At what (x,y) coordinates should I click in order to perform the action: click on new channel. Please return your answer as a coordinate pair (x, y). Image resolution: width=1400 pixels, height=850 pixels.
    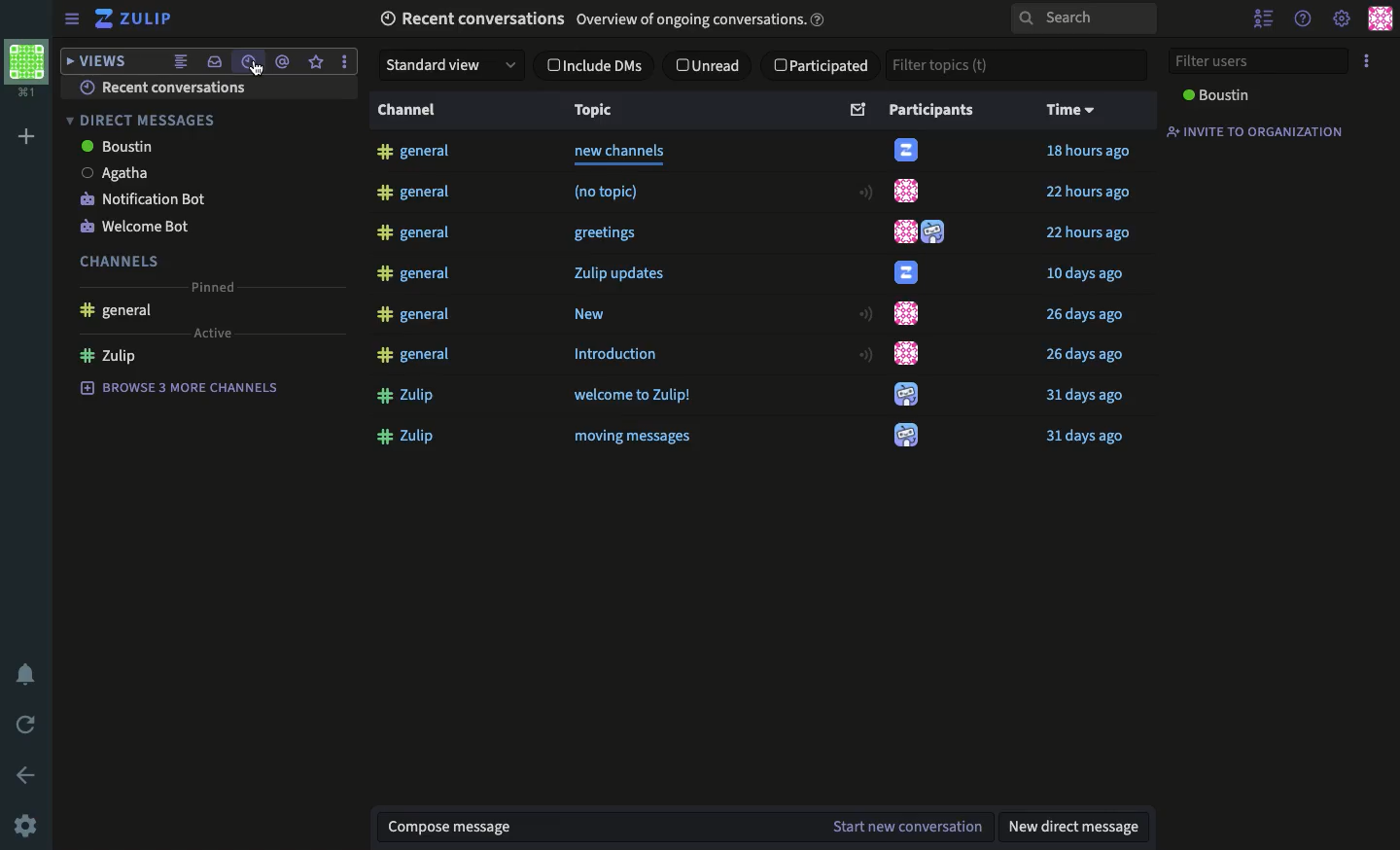
    Looking at the image, I should click on (620, 153).